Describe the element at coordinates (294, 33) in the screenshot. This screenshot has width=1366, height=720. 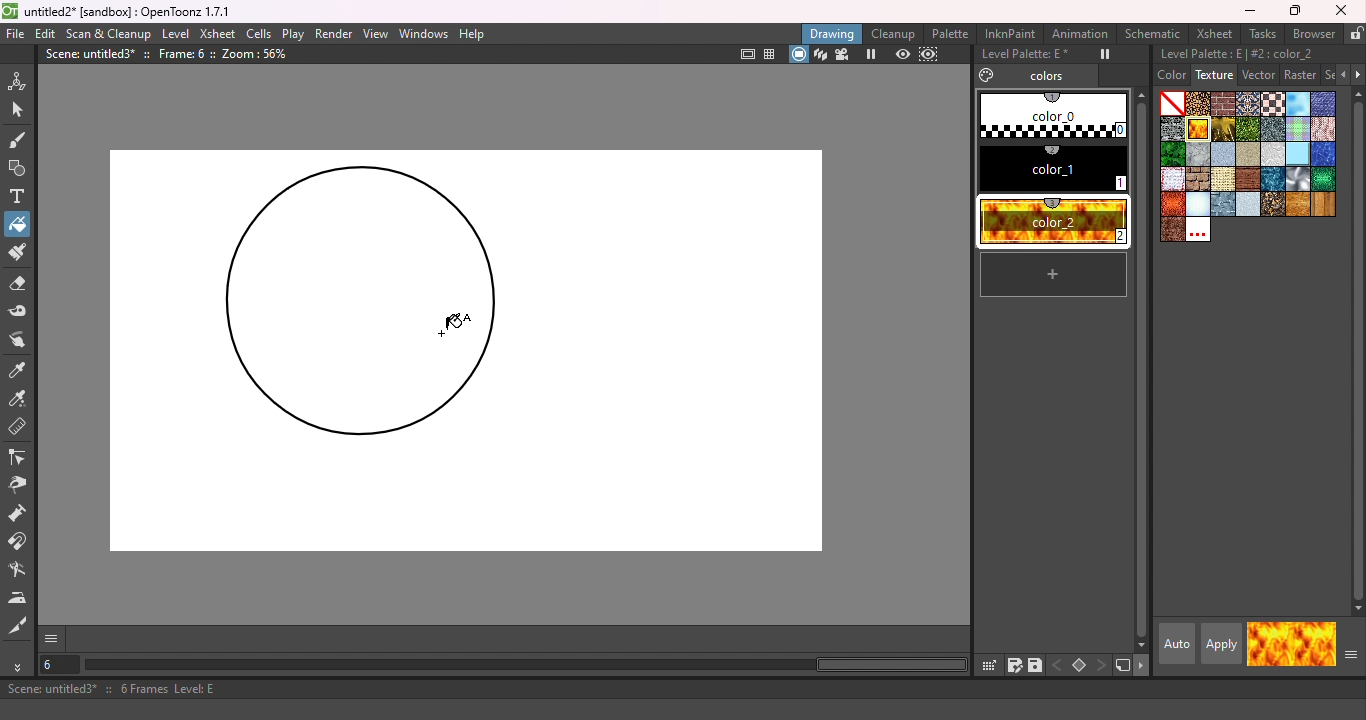
I see `Play` at that location.